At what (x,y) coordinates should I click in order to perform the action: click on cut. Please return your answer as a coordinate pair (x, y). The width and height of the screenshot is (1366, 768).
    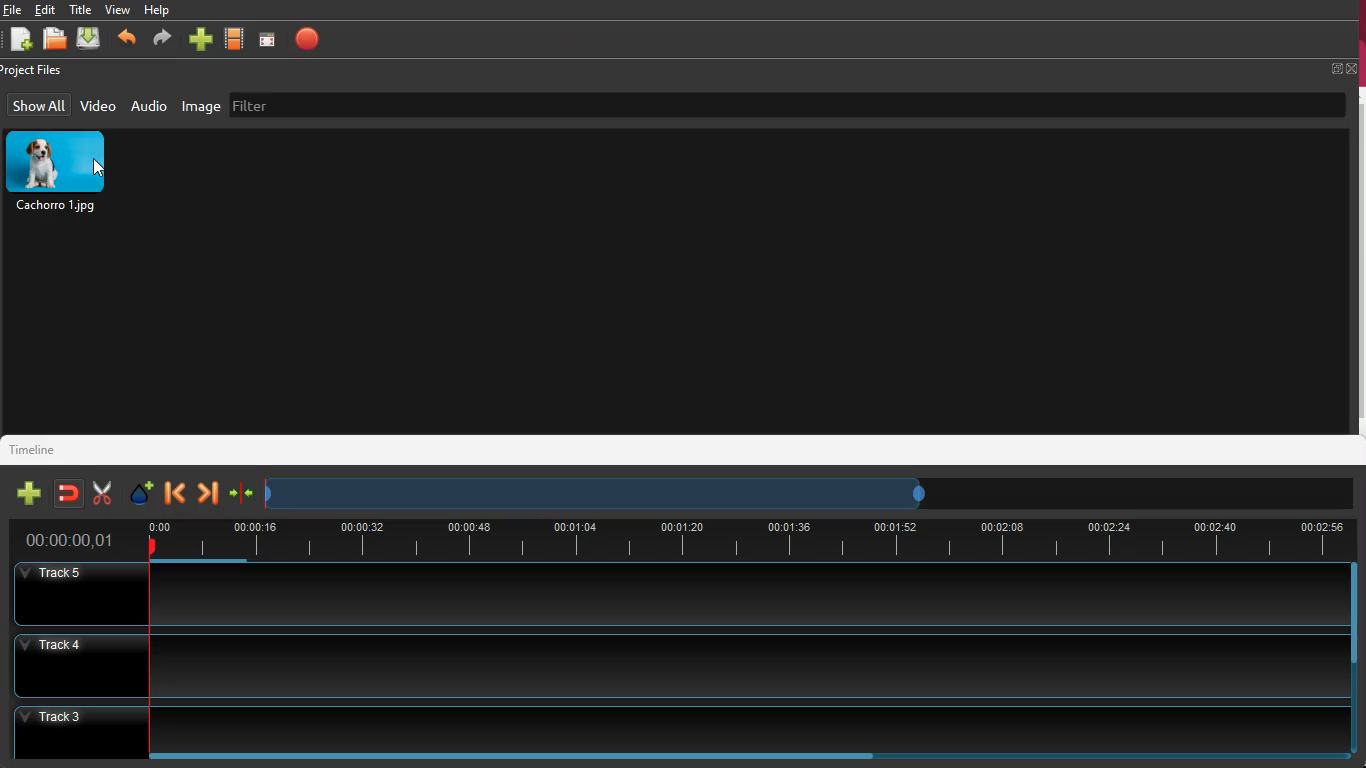
    Looking at the image, I should click on (101, 491).